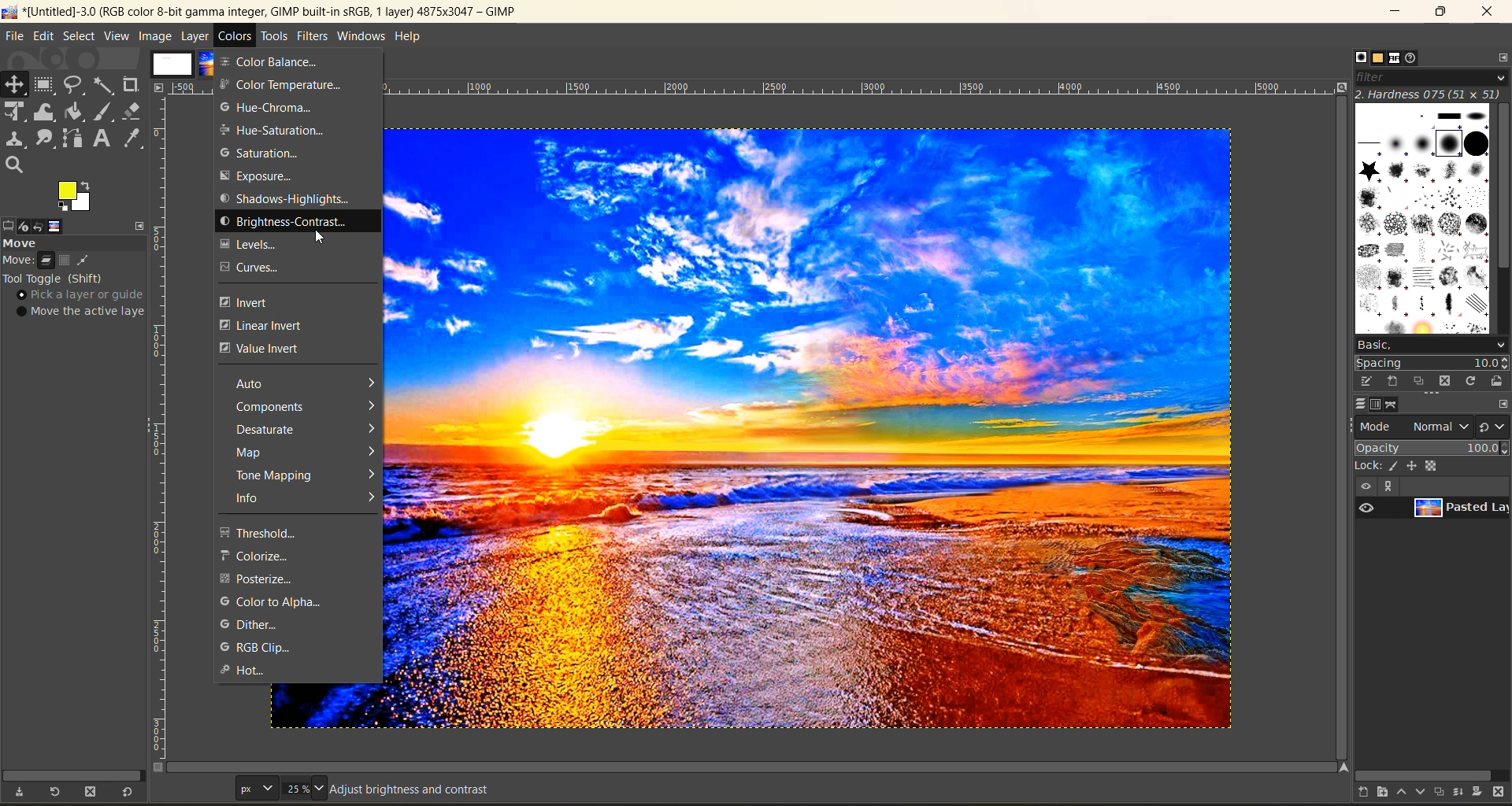 This screenshot has width=1512, height=806. Describe the element at coordinates (1474, 384) in the screenshot. I see `refresh brush` at that location.